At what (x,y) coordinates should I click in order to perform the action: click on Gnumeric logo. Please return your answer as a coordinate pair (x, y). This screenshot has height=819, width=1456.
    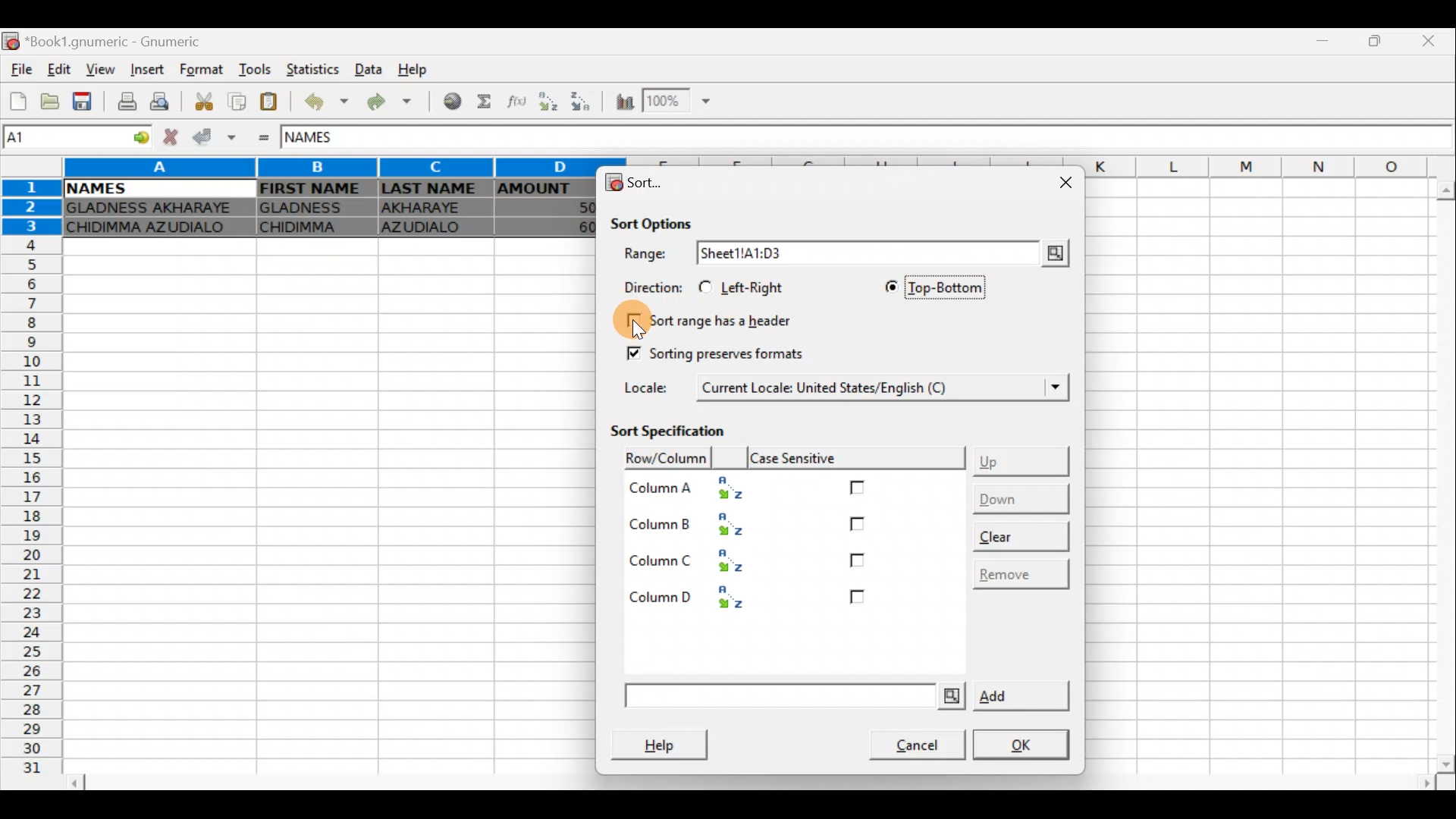
    Looking at the image, I should click on (12, 42).